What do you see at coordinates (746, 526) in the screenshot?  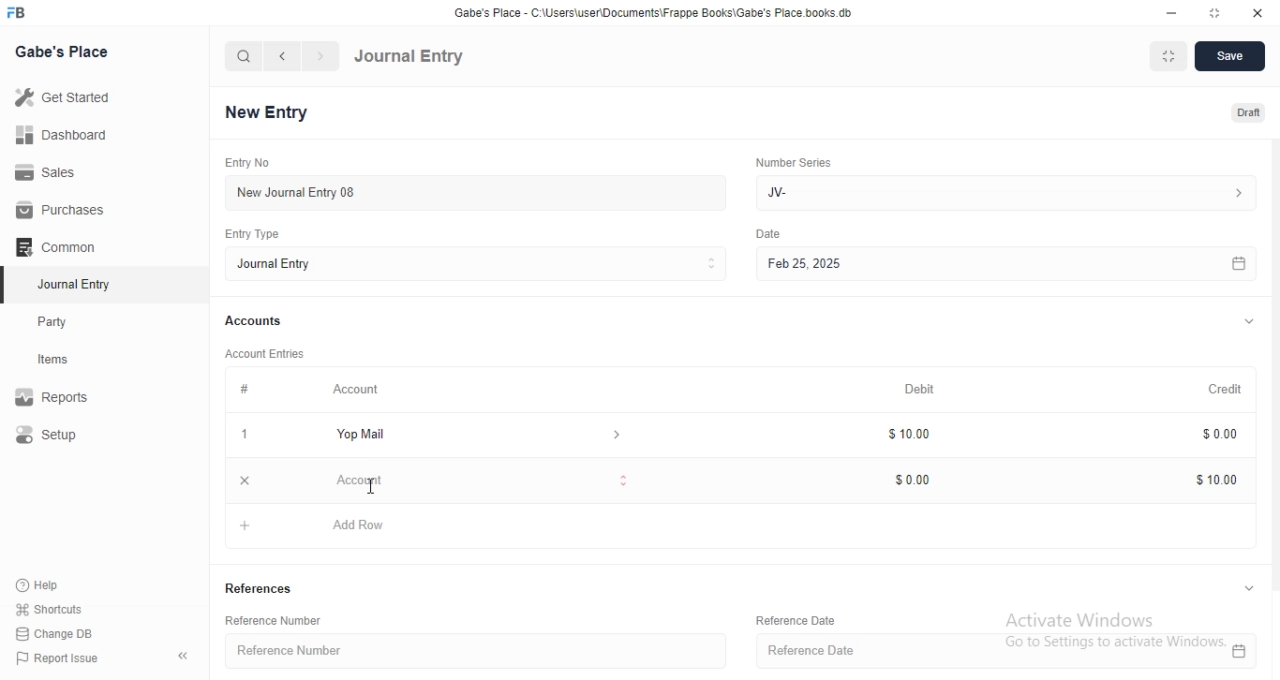 I see `+ Add Row` at bounding box center [746, 526].